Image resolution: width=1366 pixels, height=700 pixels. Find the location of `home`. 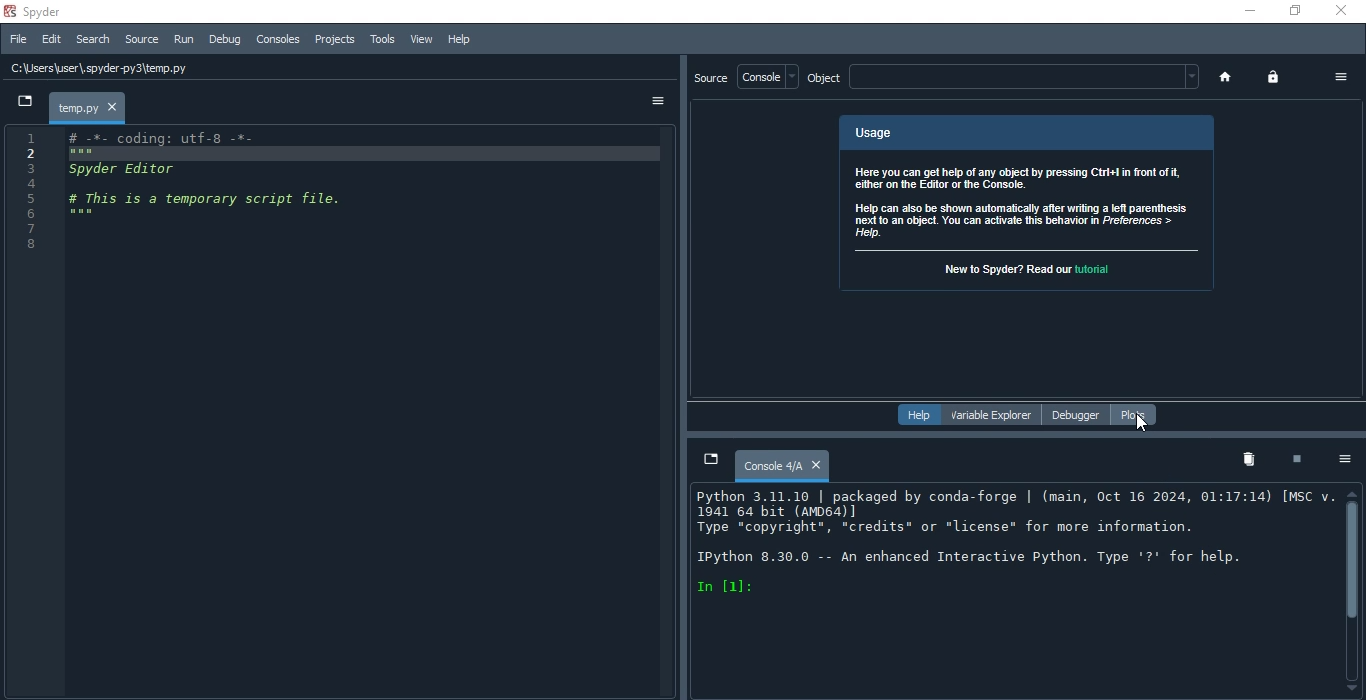

home is located at coordinates (1223, 77).